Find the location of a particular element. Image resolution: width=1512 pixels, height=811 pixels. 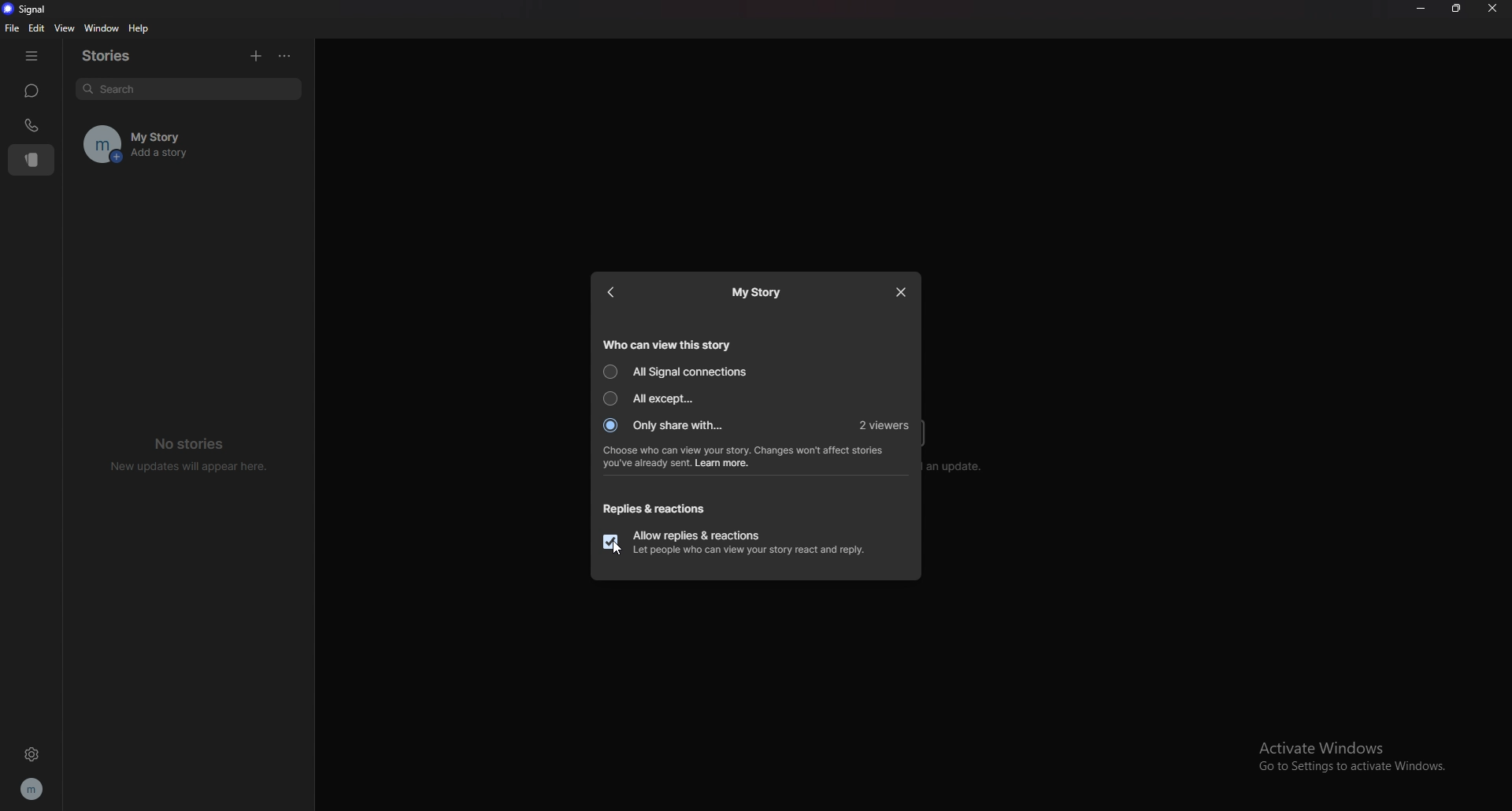

who can view this story is located at coordinates (667, 343).